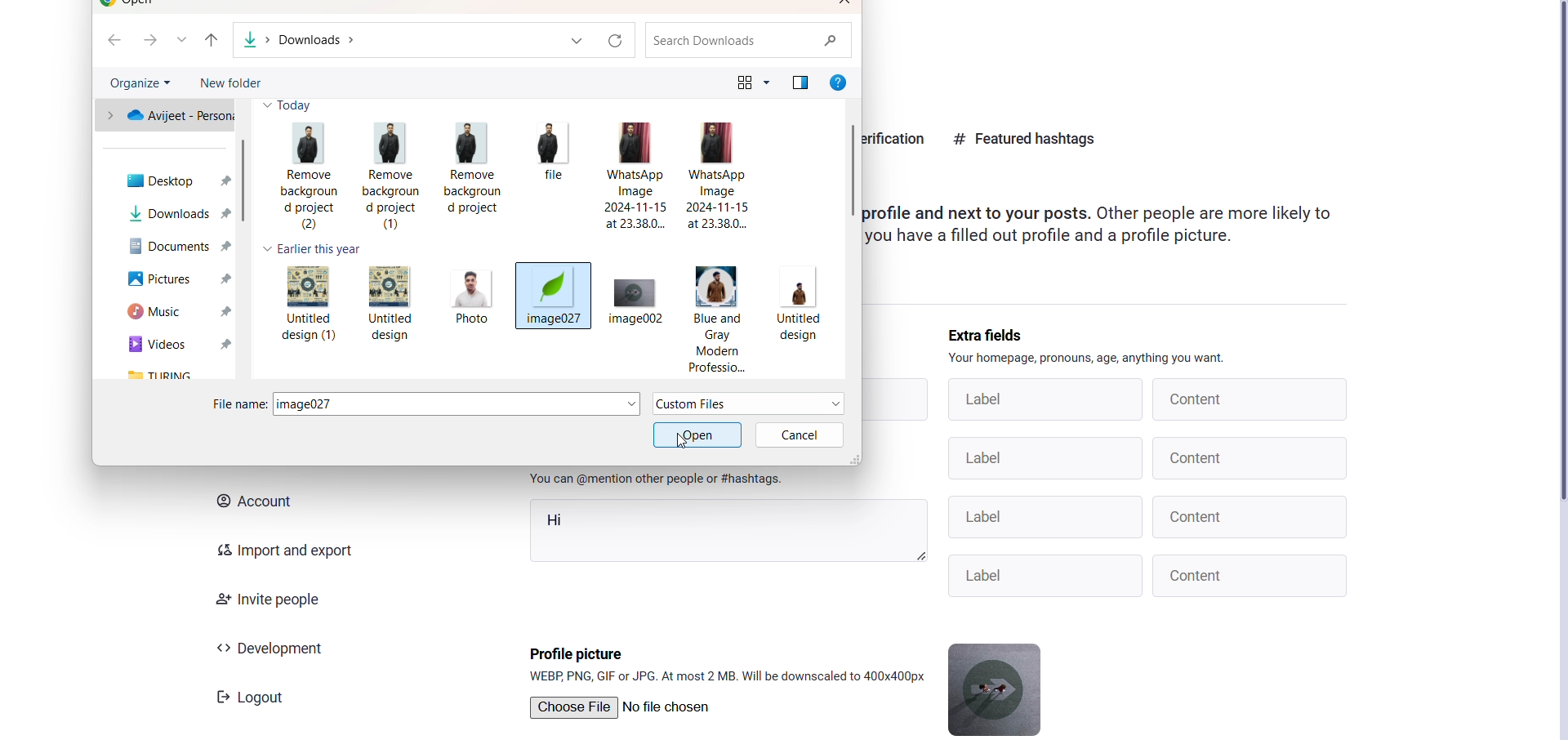  Describe the element at coordinates (555, 296) in the screenshot. I see `image027` at that location.